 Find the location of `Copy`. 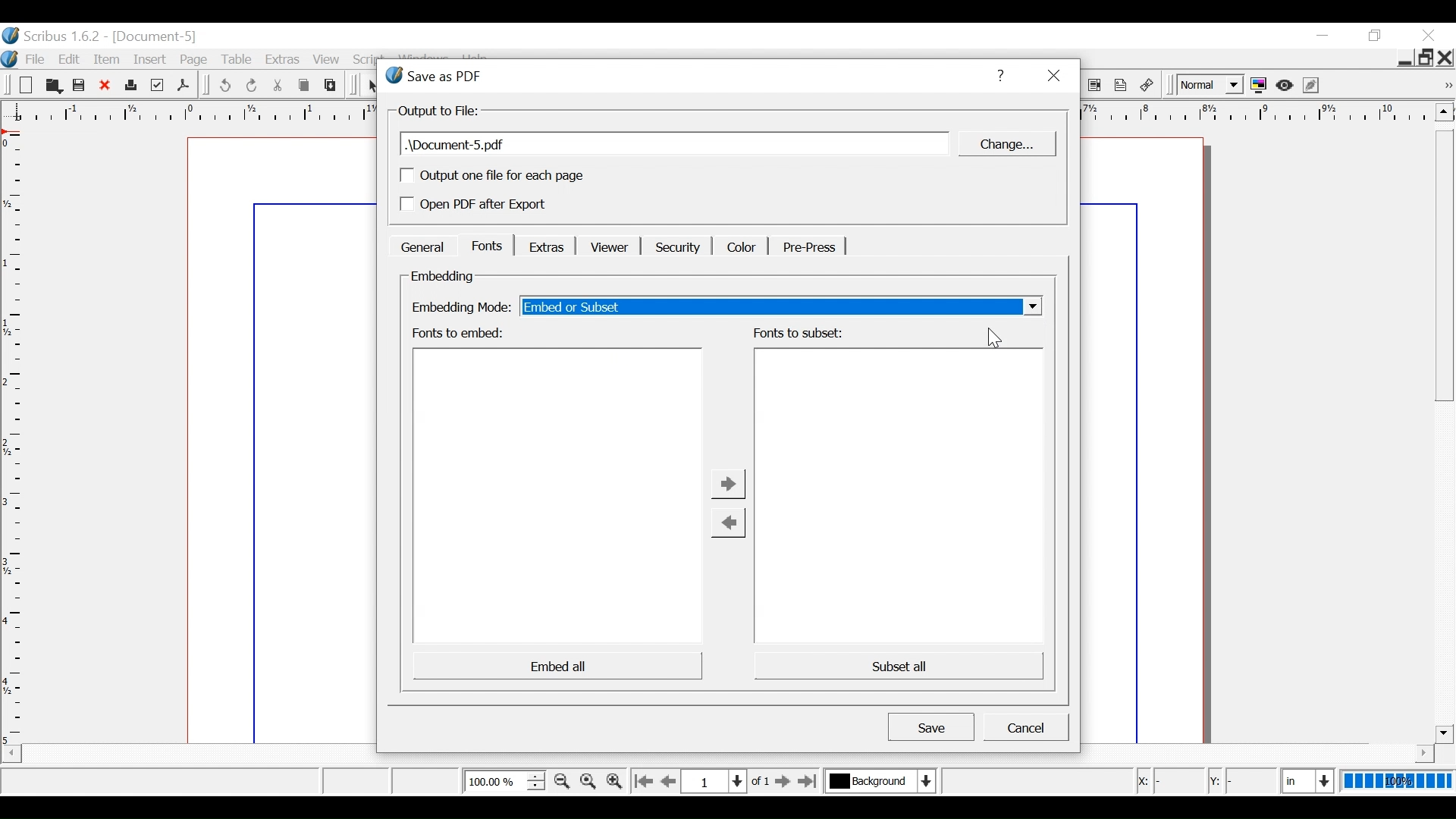

Copy is located at coordinates (306, 86).